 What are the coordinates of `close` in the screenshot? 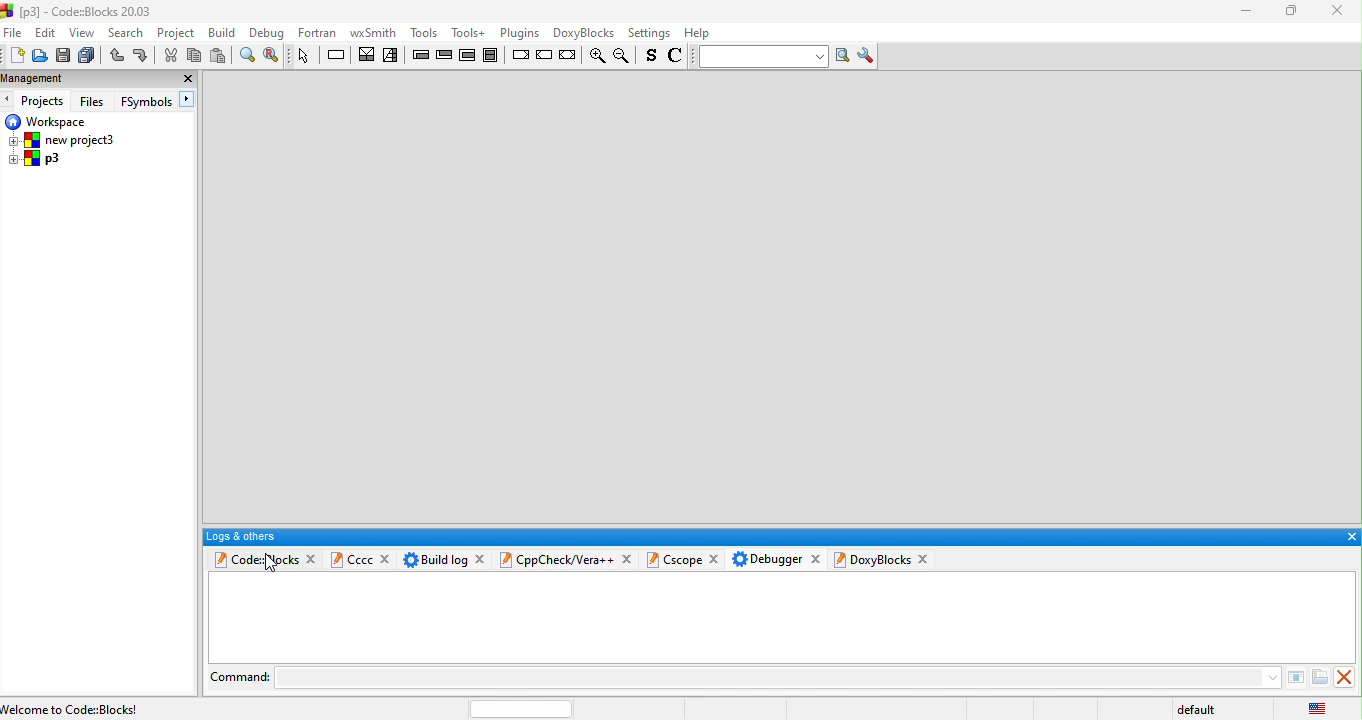 It's located at (717, 560).